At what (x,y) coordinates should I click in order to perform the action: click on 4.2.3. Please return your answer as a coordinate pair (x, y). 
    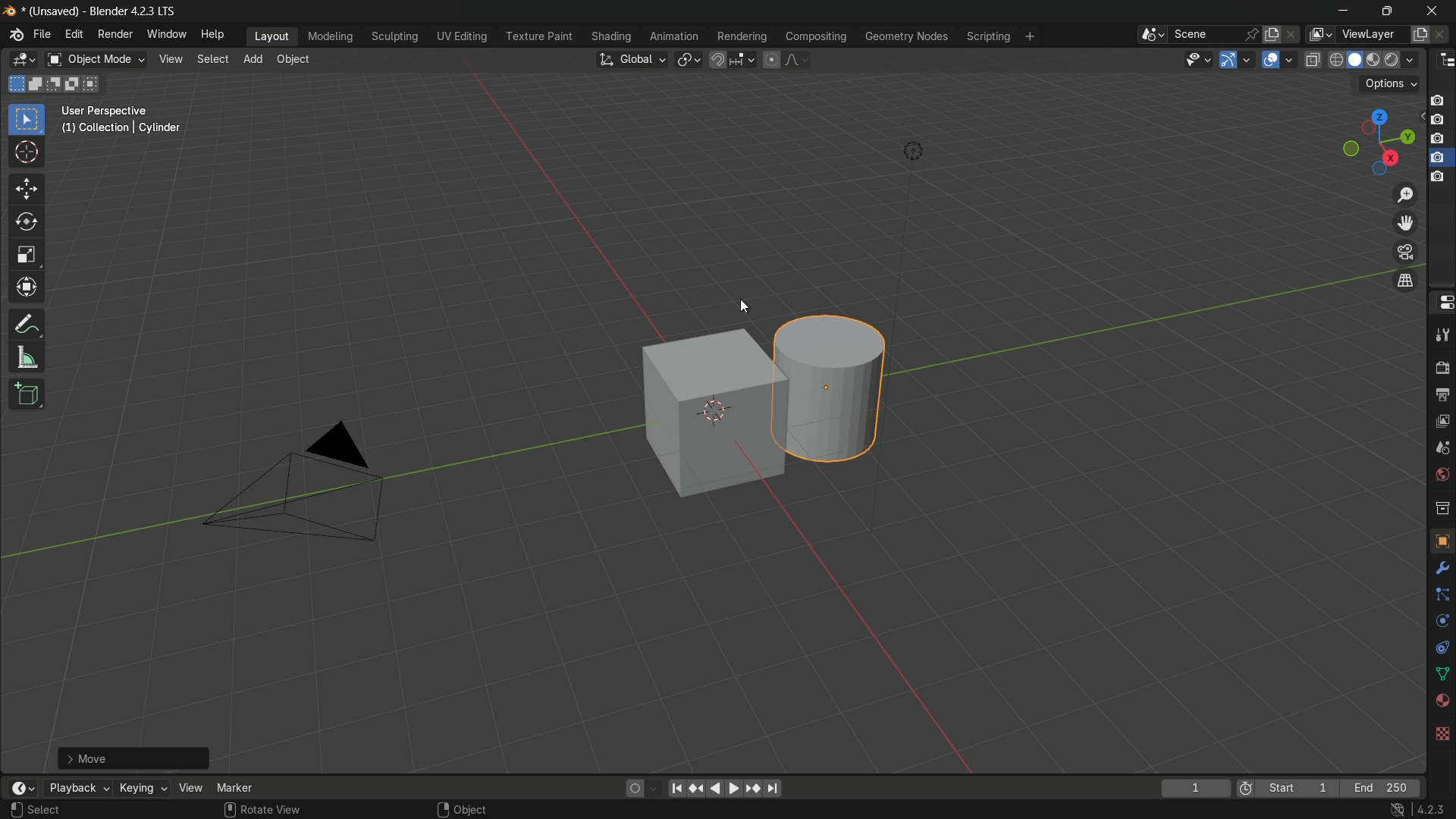
    Looking at the image, I should click on (1414, 809).